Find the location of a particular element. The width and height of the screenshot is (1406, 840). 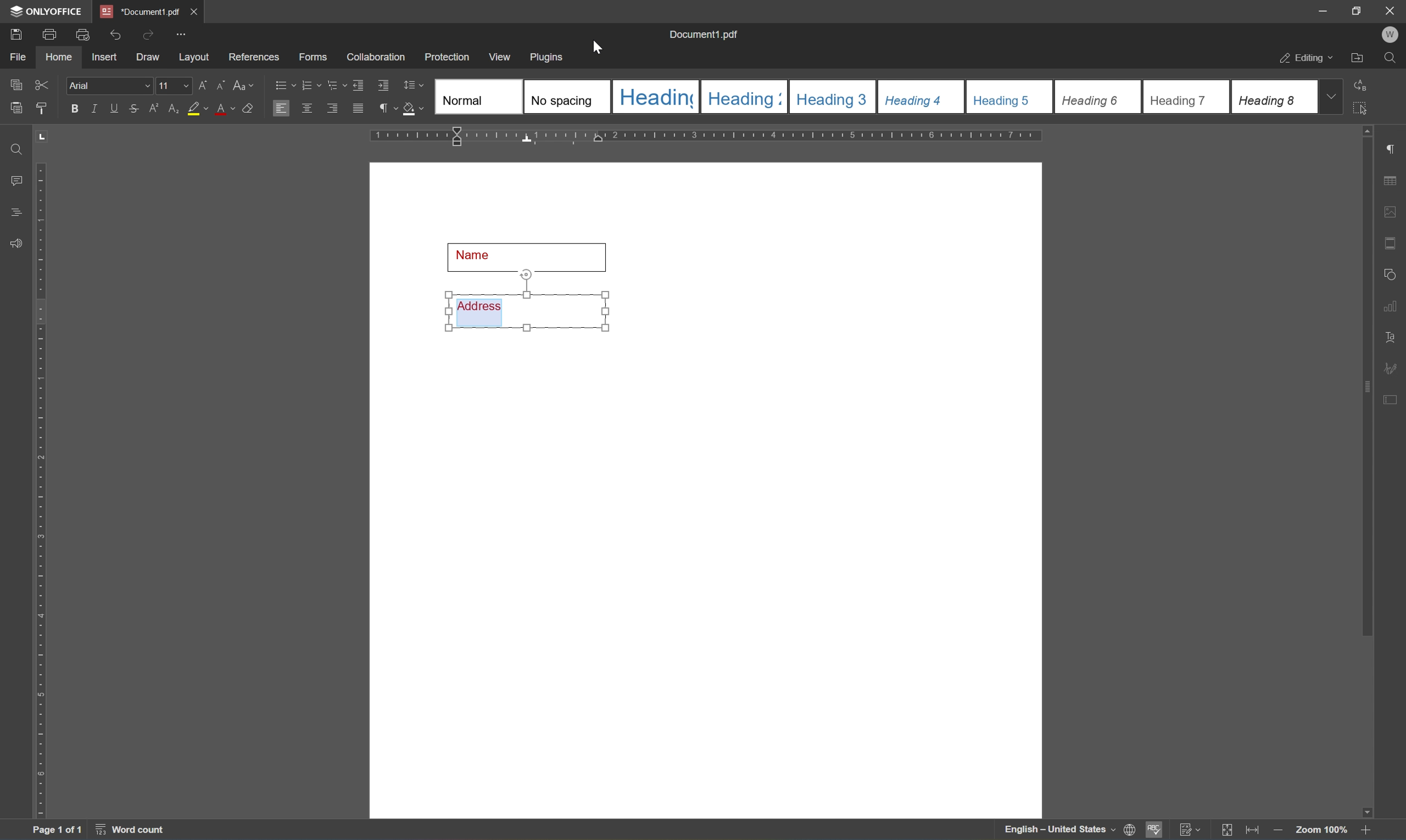

strikethrough is located at coordinates (133, 108).